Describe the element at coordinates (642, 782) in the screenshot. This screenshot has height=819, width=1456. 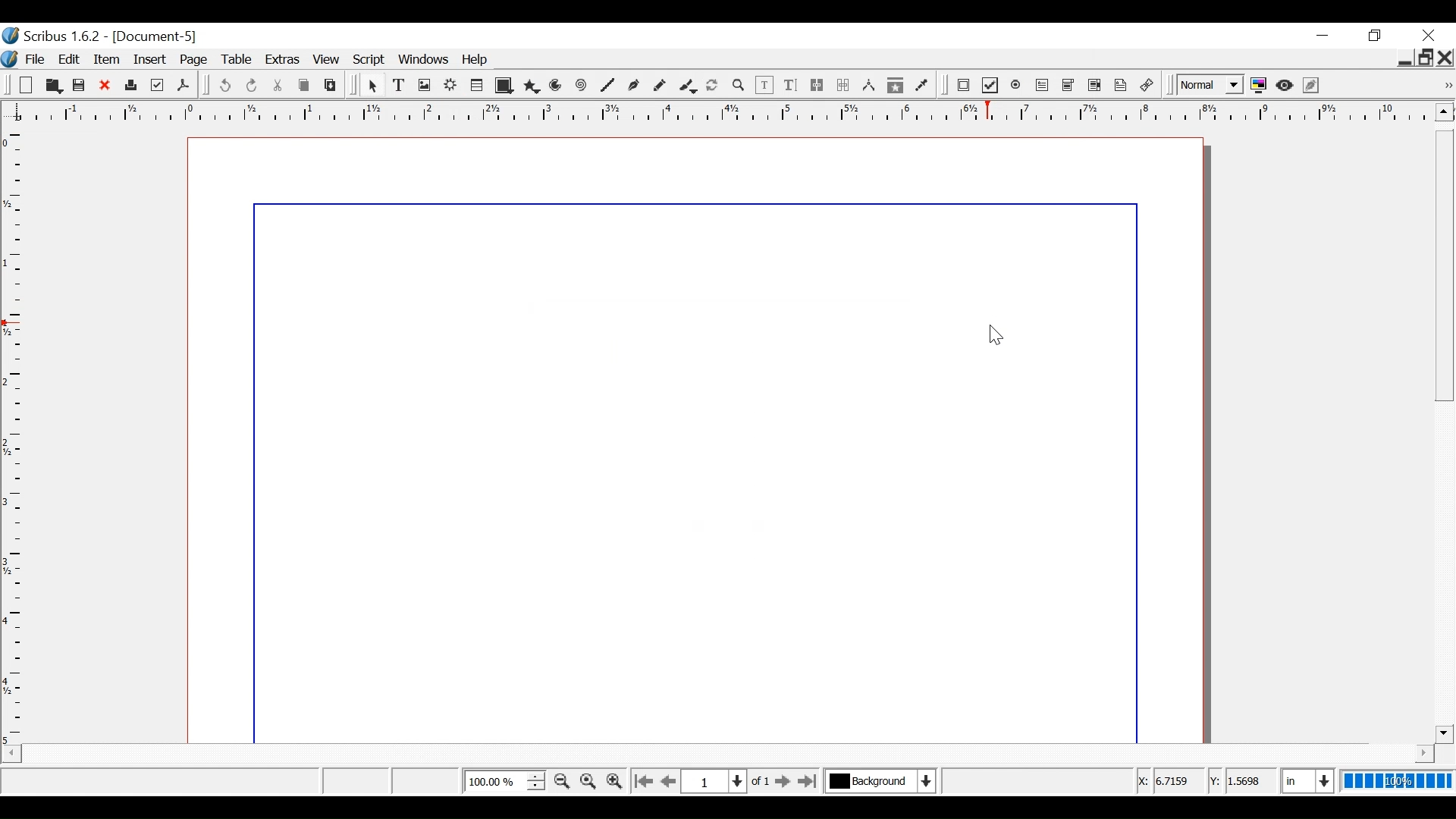
I see `Go to the first page` at that location.